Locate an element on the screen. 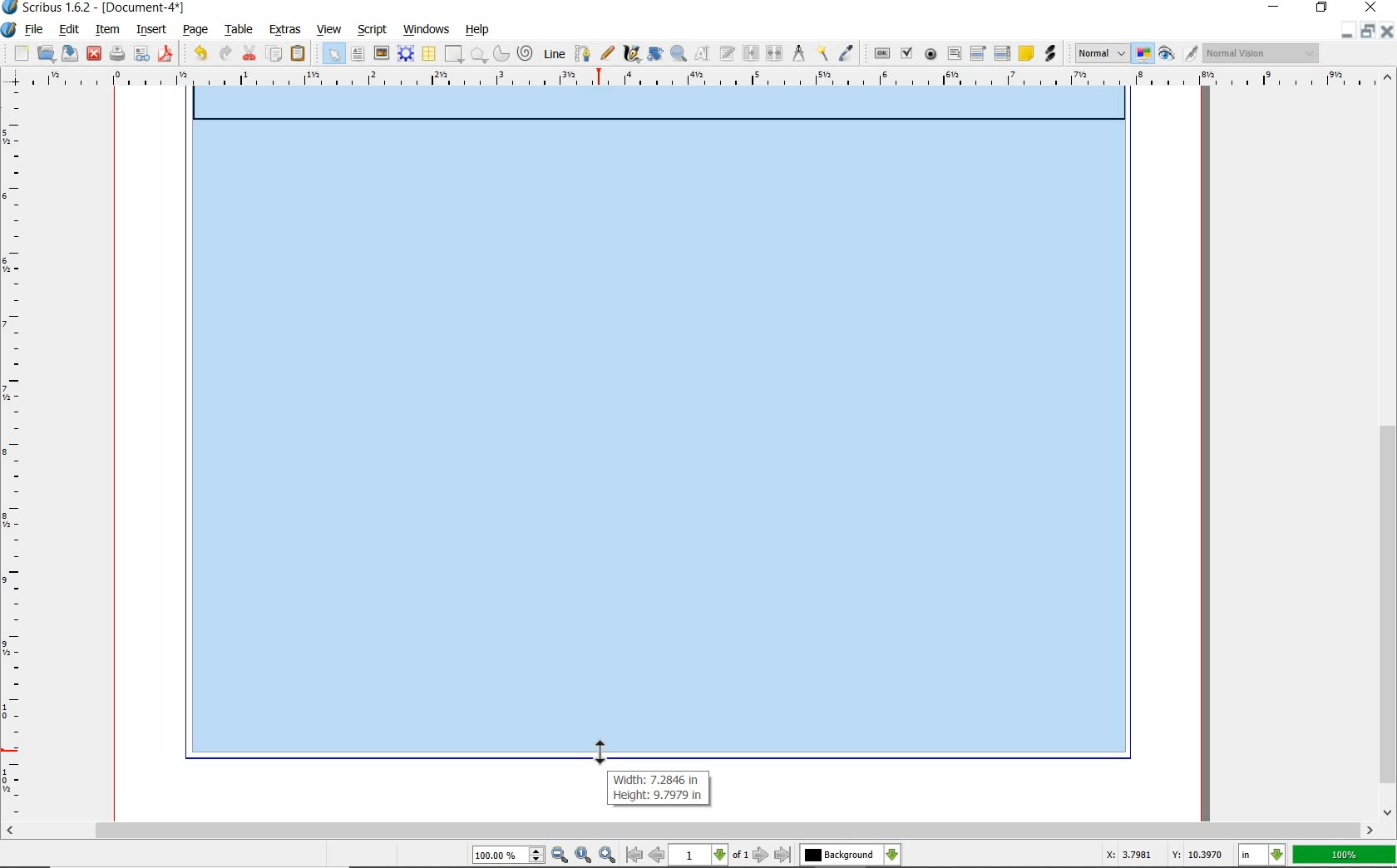  pdf list box is located at coordinates (1002, 52).